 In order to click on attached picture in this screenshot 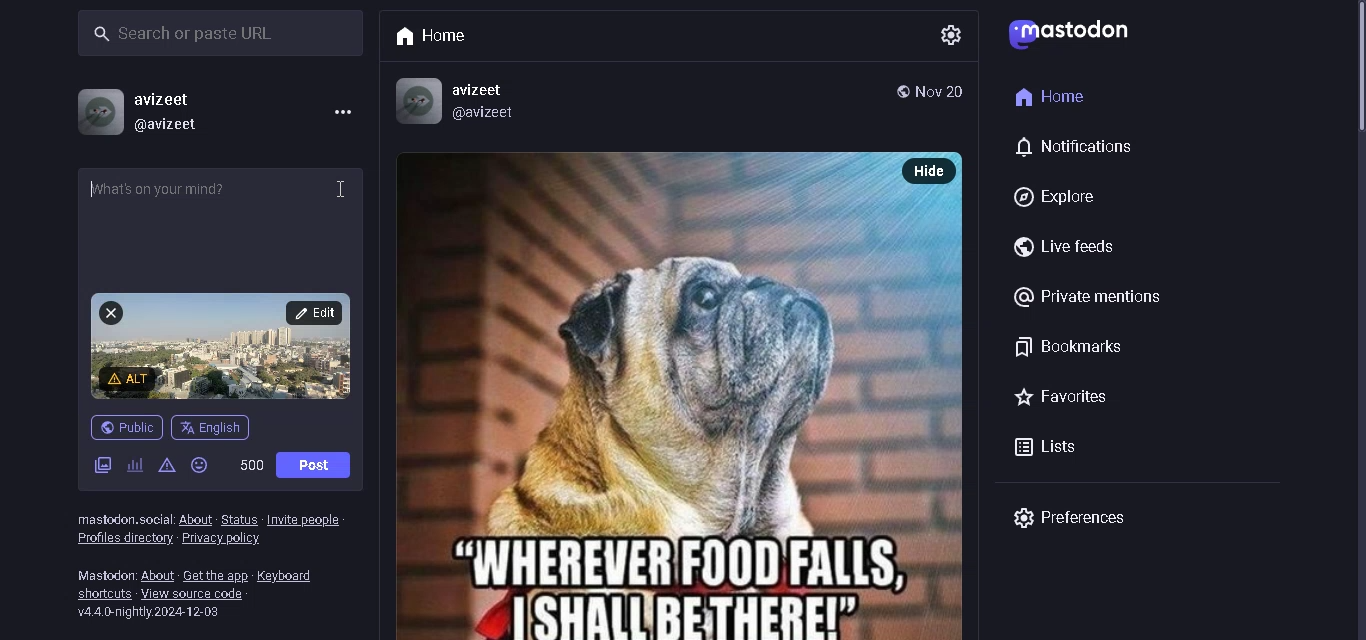, I will do `click(225, 346)`.